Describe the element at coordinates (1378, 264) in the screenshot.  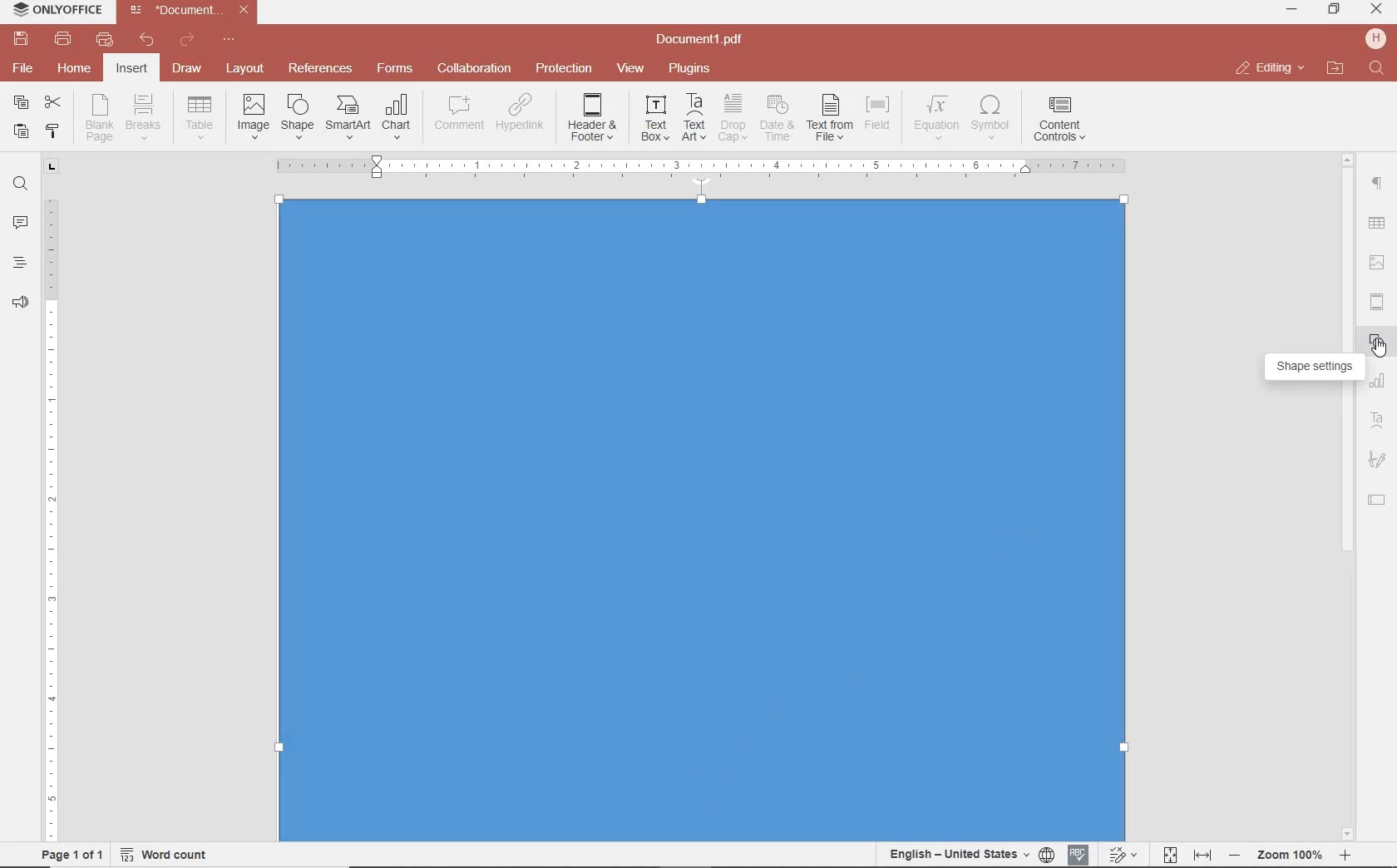
I see `IMAGE` at that location.